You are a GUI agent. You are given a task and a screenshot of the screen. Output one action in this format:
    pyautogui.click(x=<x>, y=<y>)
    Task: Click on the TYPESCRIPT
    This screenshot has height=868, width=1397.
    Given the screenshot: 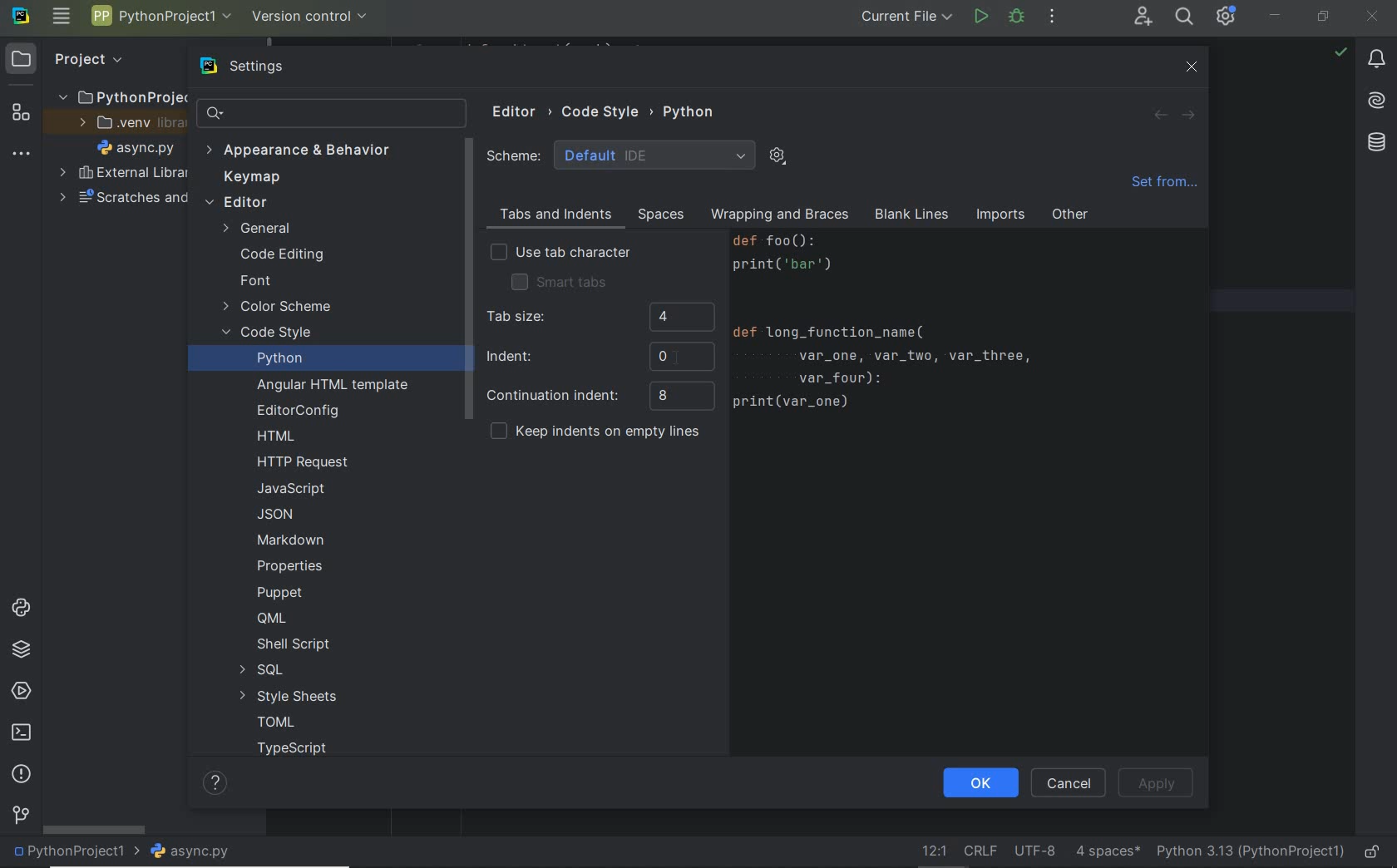 What is the action you would take?
    pyautogui.click(x=298, y=751)
    